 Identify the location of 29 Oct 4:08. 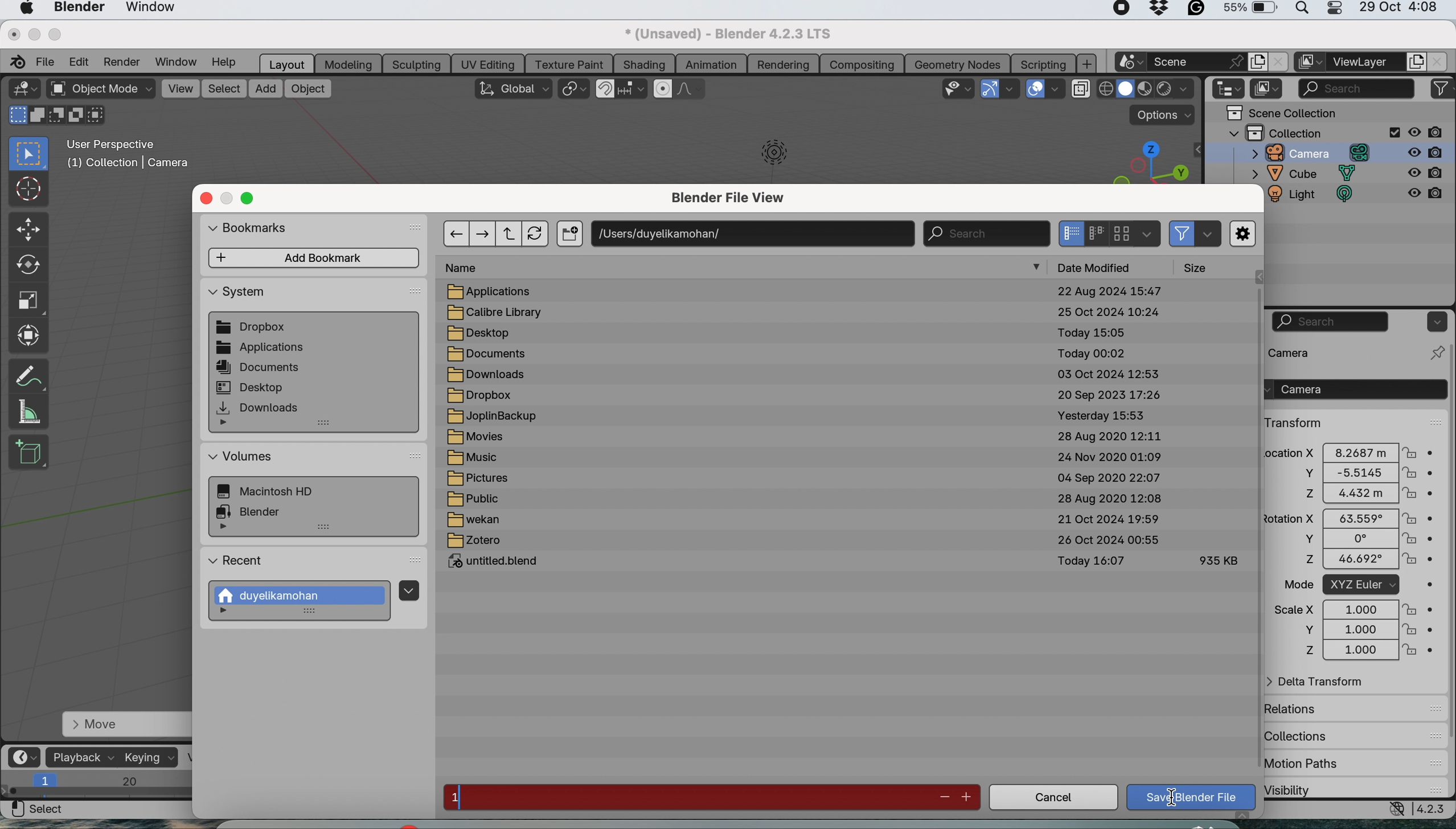
(1399, 8).